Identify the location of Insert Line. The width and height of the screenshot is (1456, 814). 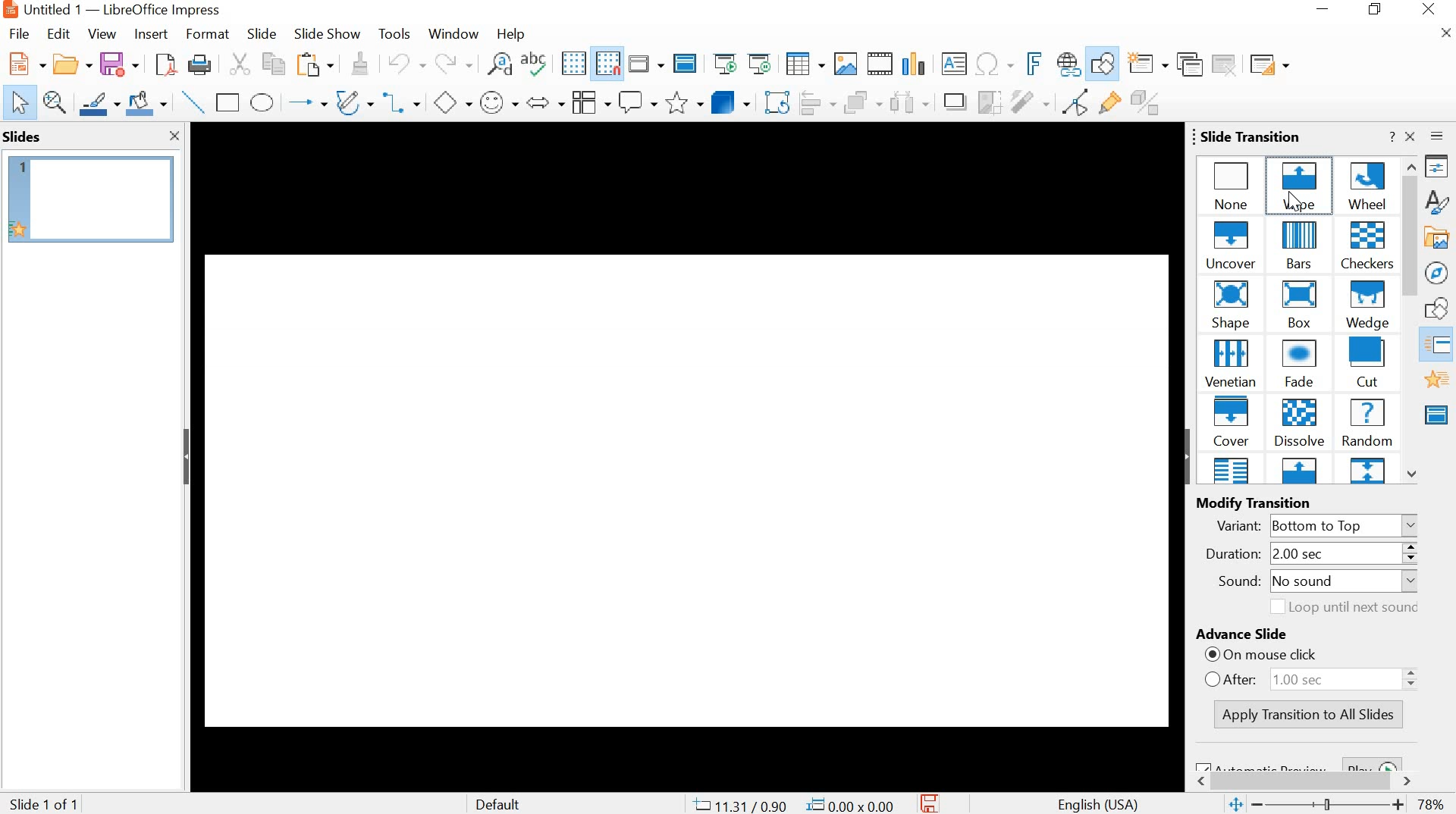
(192, 102).